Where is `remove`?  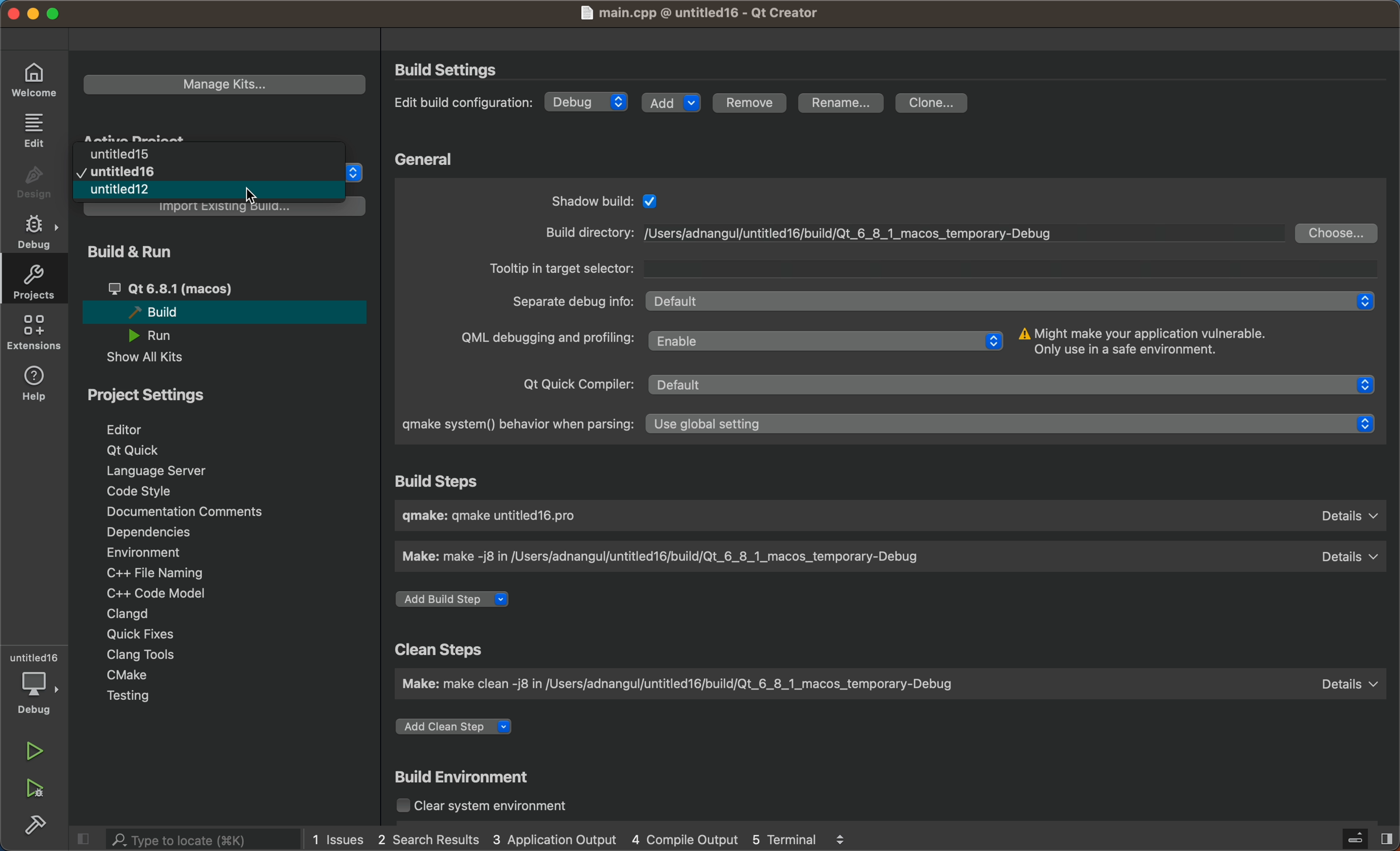
remove is located at coordinates (751, 101).